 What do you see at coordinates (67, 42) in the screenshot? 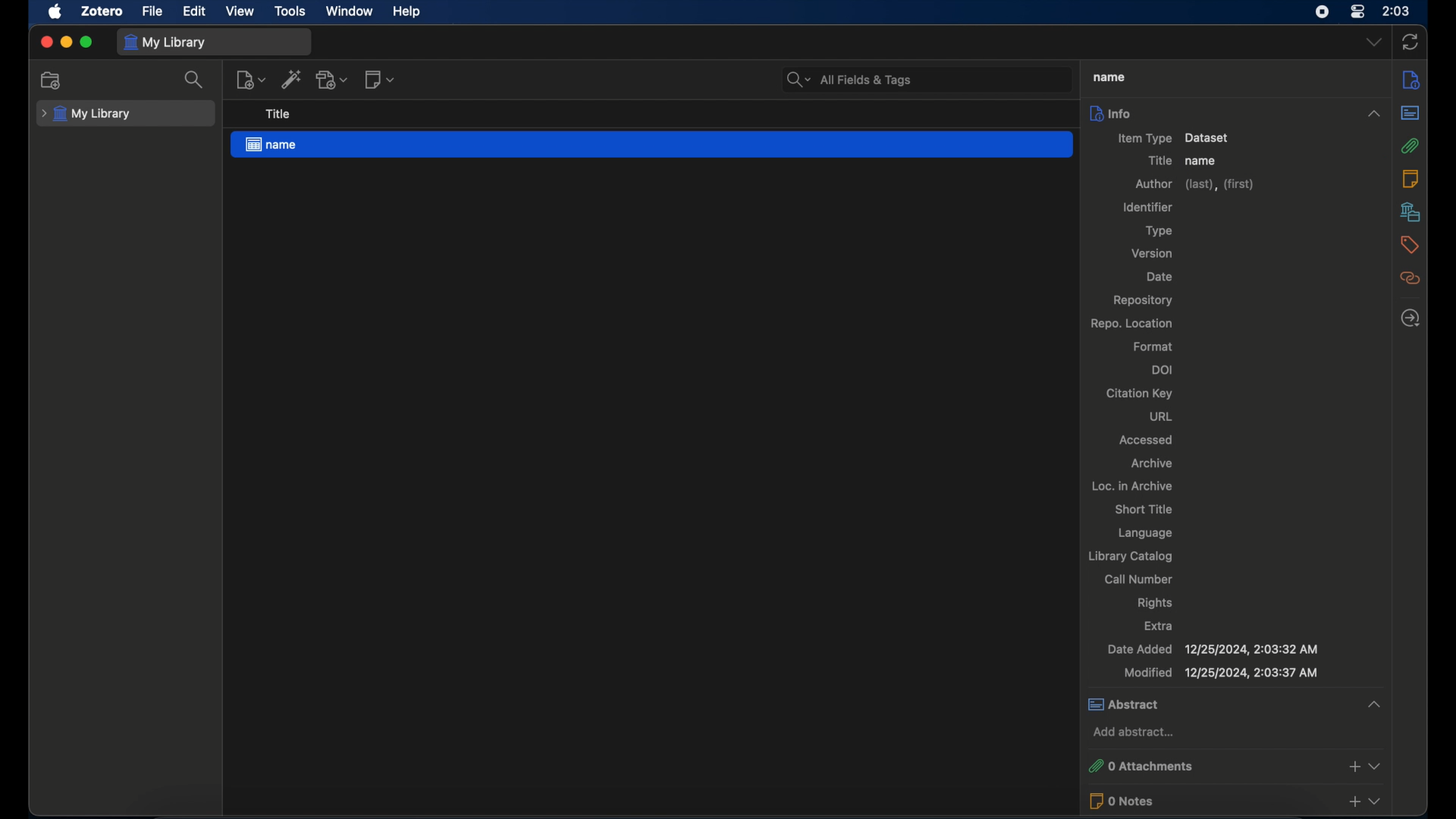
I see `minimize` at bounding box center [67, 42].